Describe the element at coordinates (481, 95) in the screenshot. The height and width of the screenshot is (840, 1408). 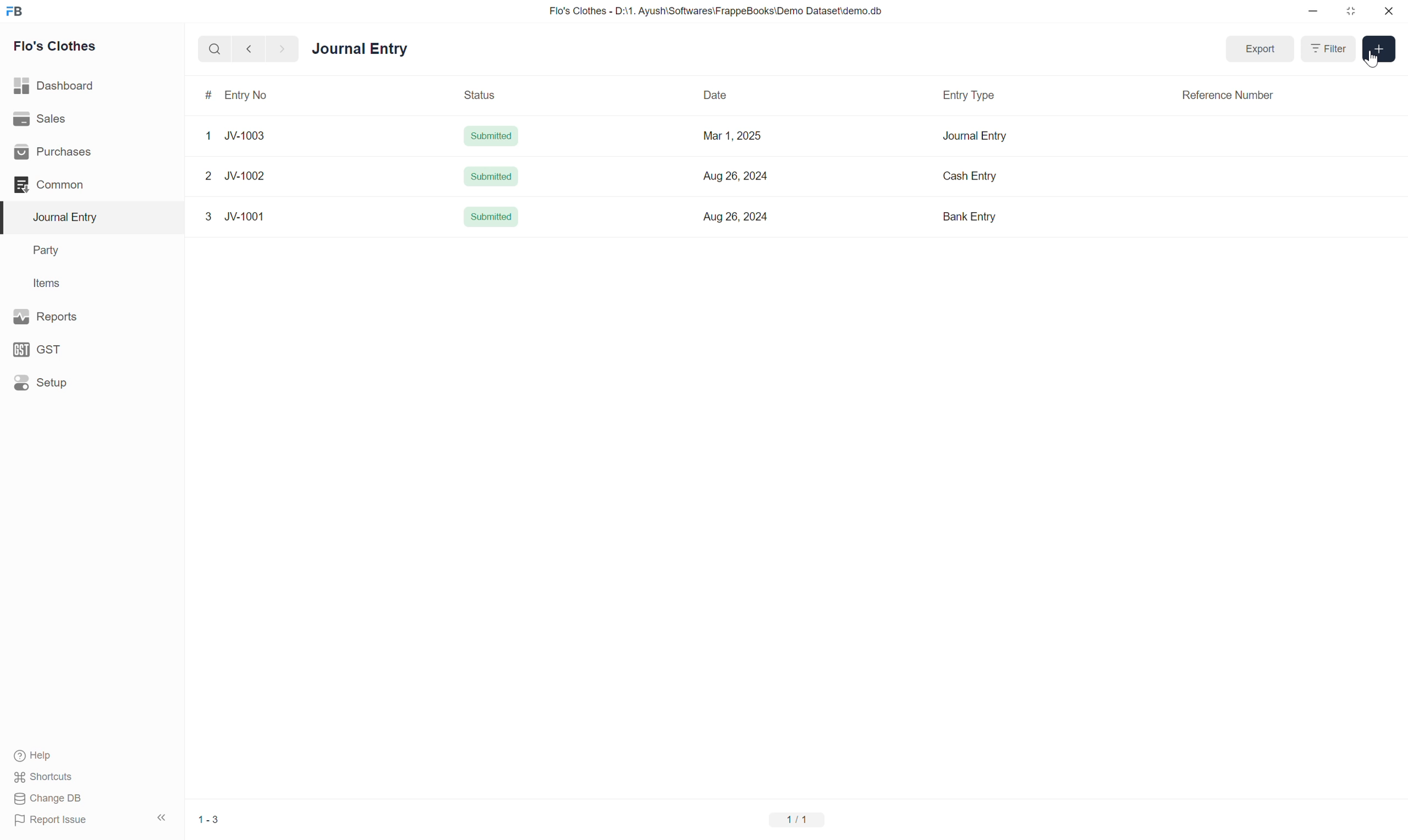
I see `Status` at that location.